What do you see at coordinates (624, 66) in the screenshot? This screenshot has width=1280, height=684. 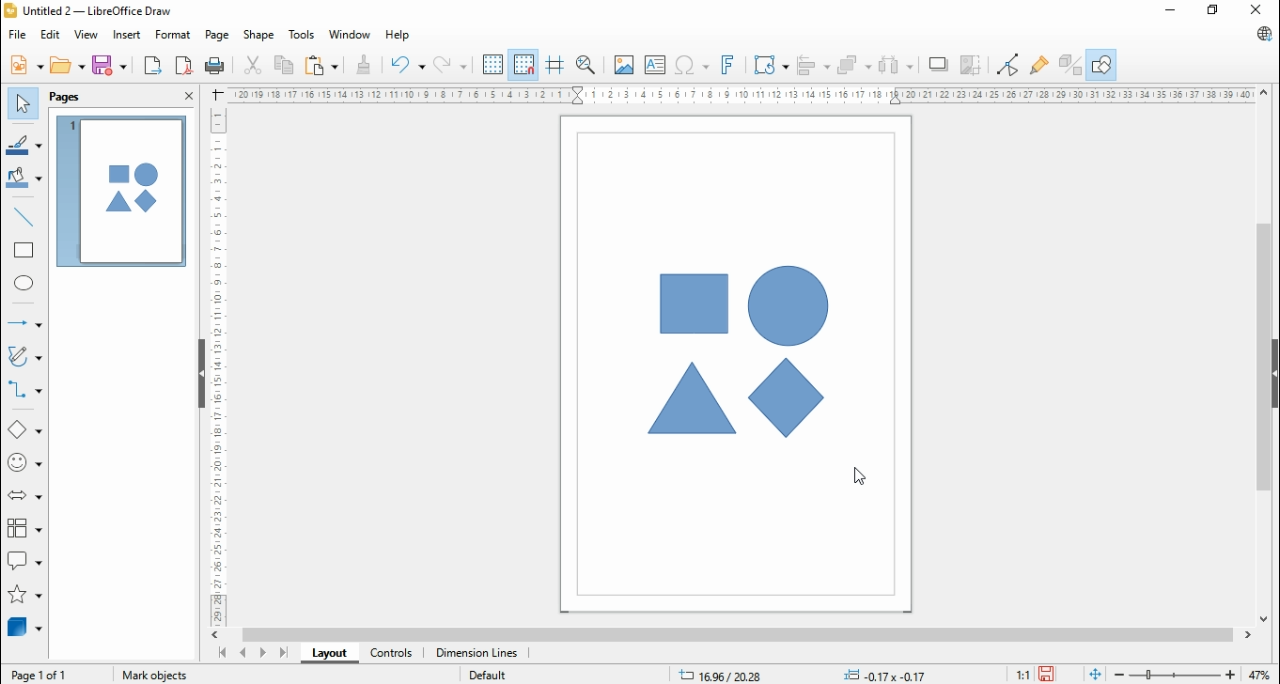 I see `insert image` at bounding box center [624, 66].